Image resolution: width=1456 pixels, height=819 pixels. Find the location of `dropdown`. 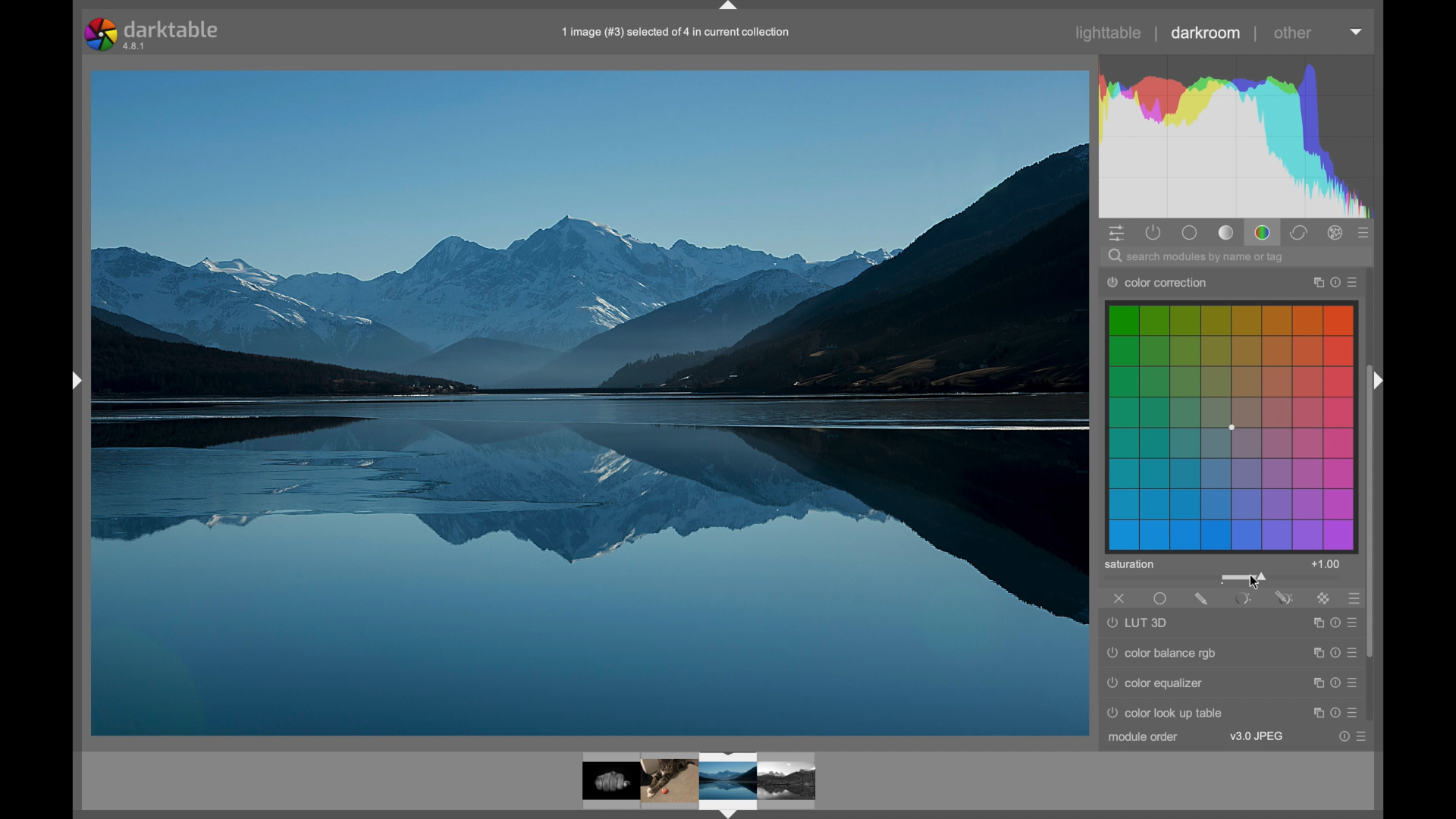

dropdown is located at coordinates (1356, 32).